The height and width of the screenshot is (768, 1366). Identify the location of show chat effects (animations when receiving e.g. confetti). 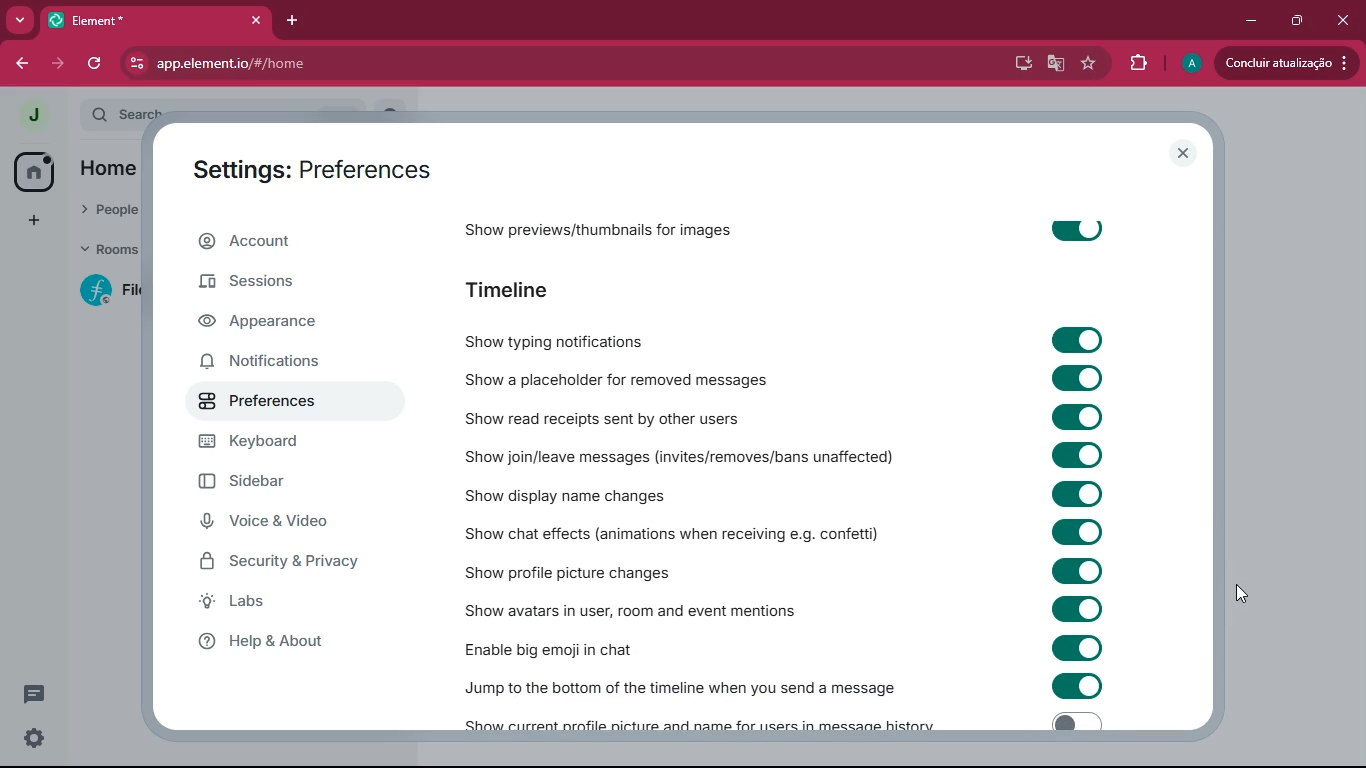
(671, 533).